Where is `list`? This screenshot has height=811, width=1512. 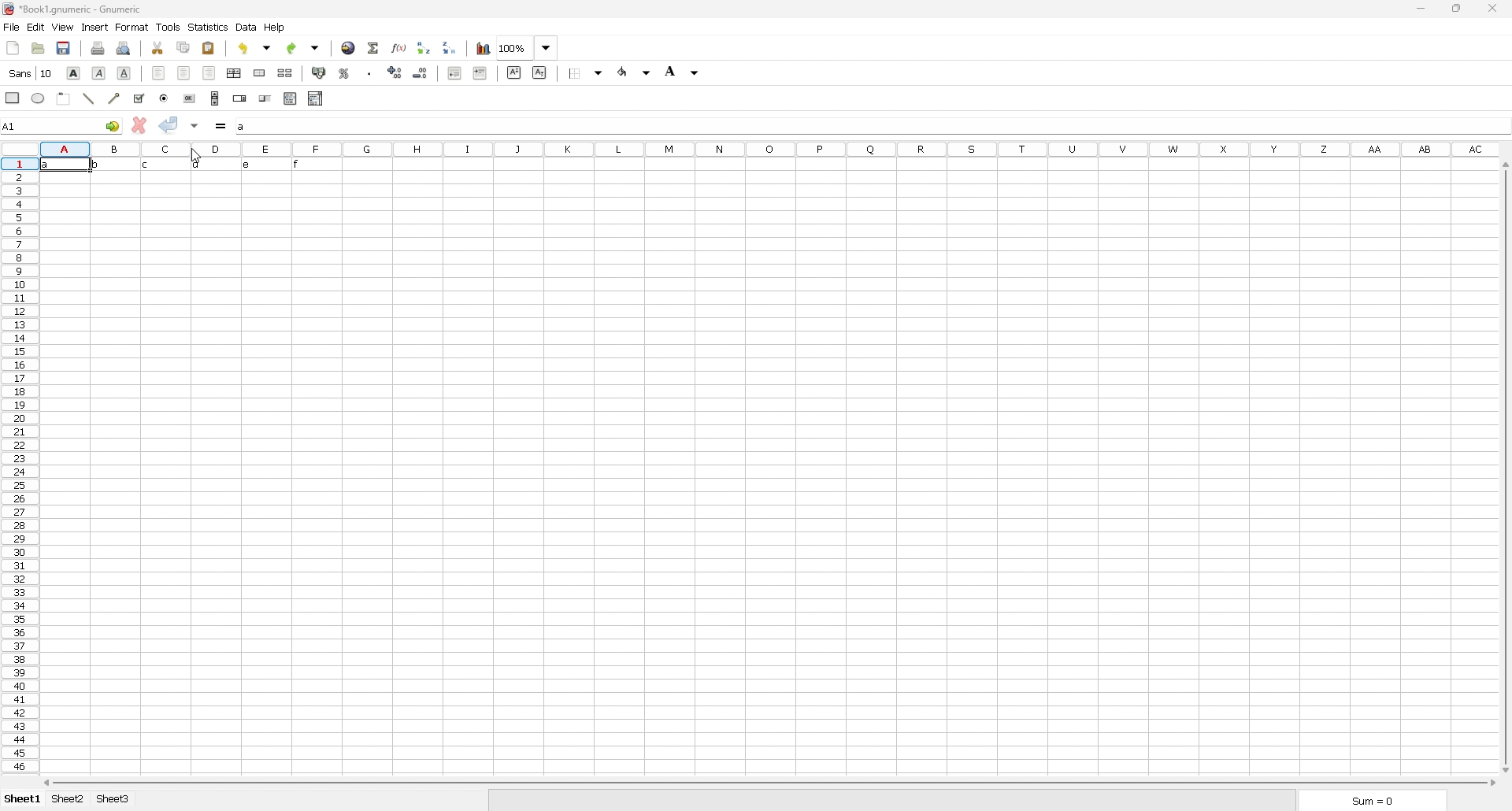 list is located at coordinates (290, 98).